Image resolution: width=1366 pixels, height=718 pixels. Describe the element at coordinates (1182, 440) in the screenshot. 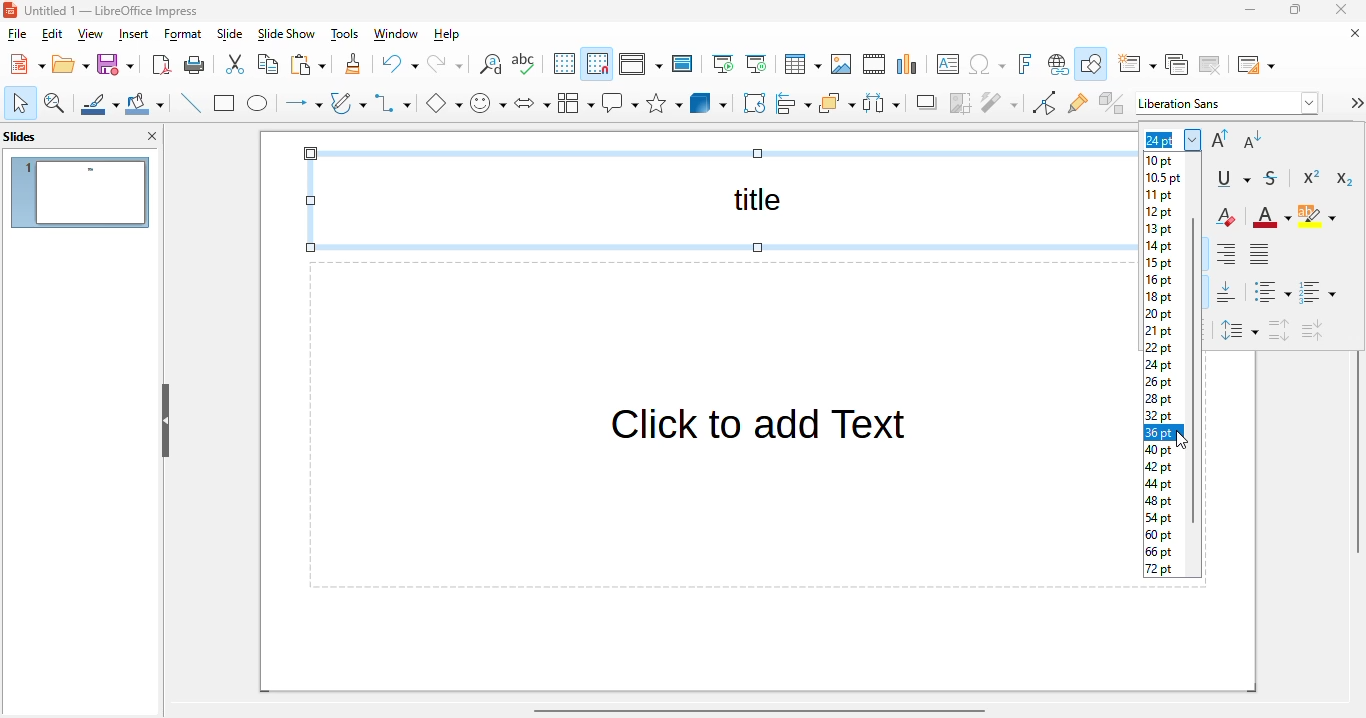

I see `cursor` at that location.